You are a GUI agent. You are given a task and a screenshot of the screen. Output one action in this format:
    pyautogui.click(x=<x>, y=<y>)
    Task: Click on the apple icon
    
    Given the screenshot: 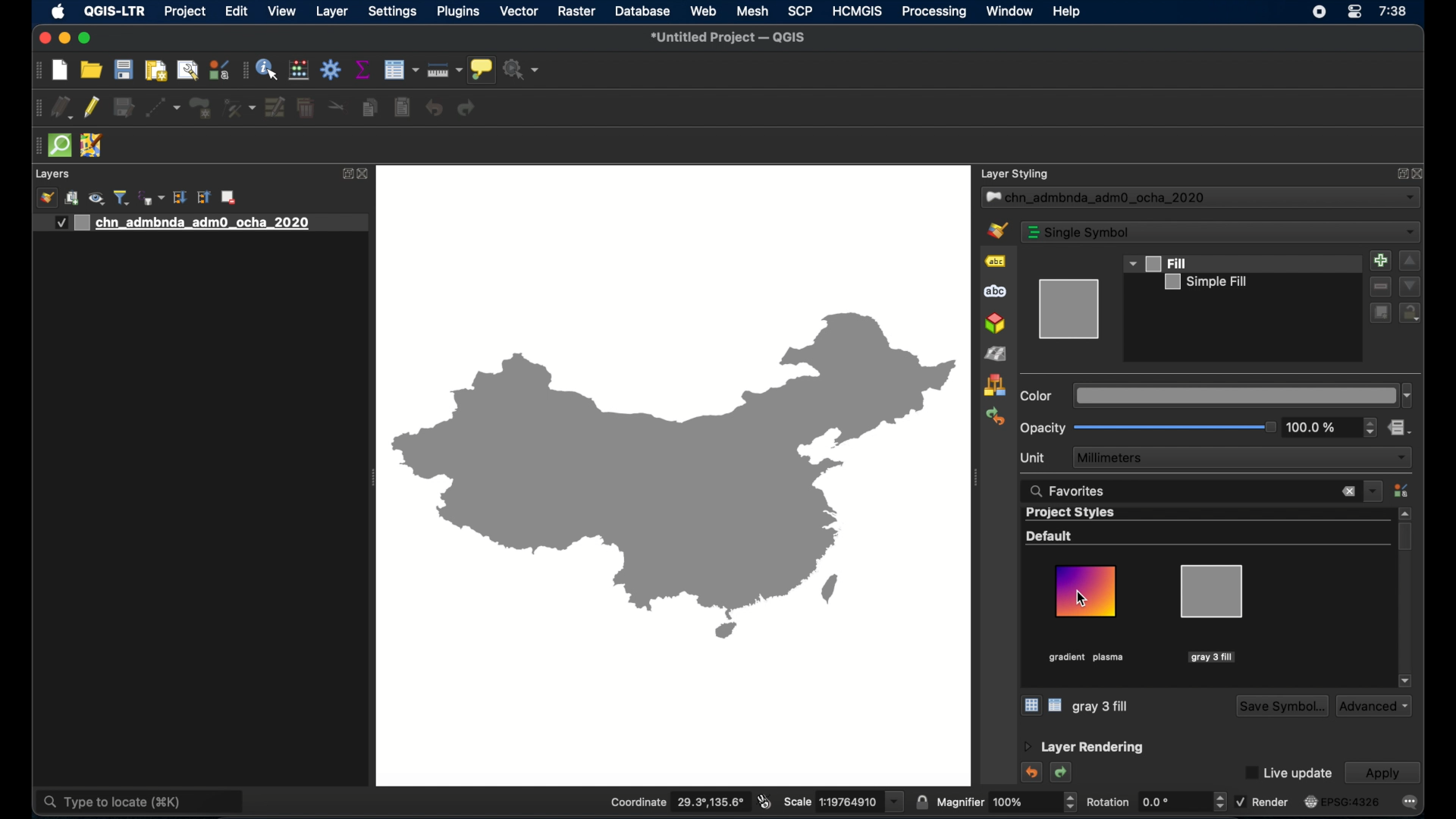 What is the action you would take?
    pyautogui.click(x=59, y=13)
    